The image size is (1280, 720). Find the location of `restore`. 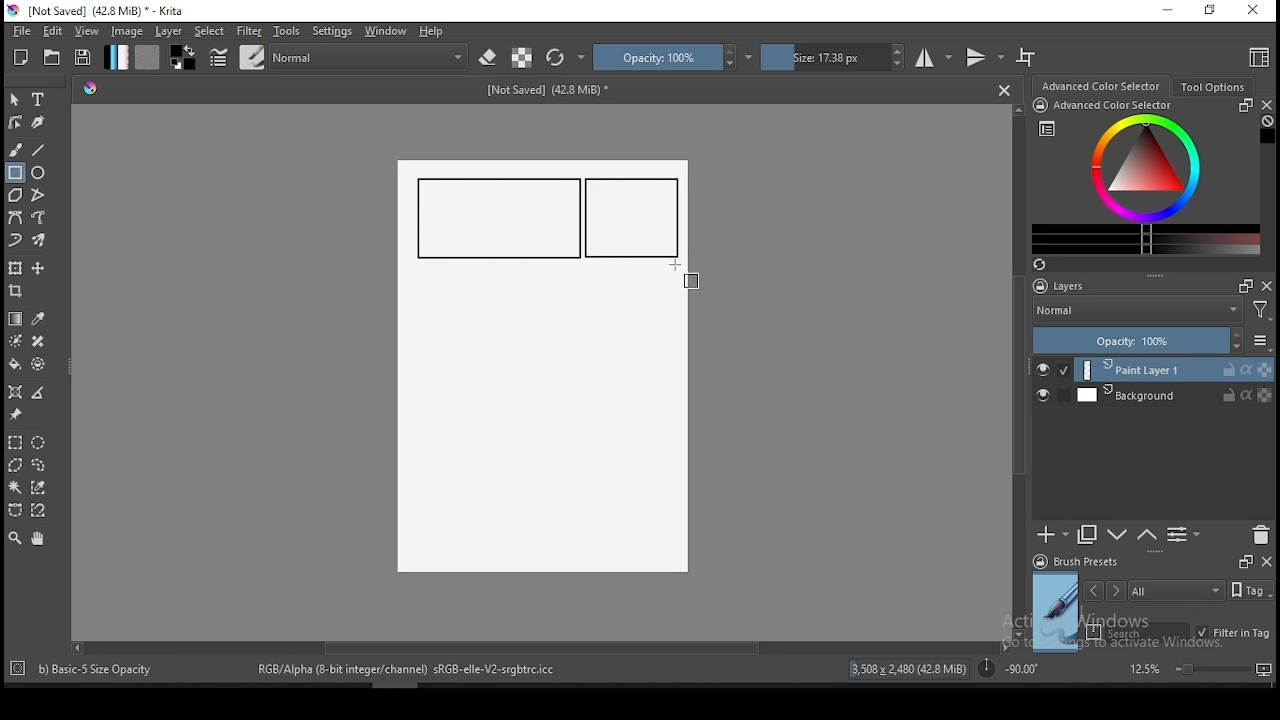

restore is located at coordinates (1214, 11).